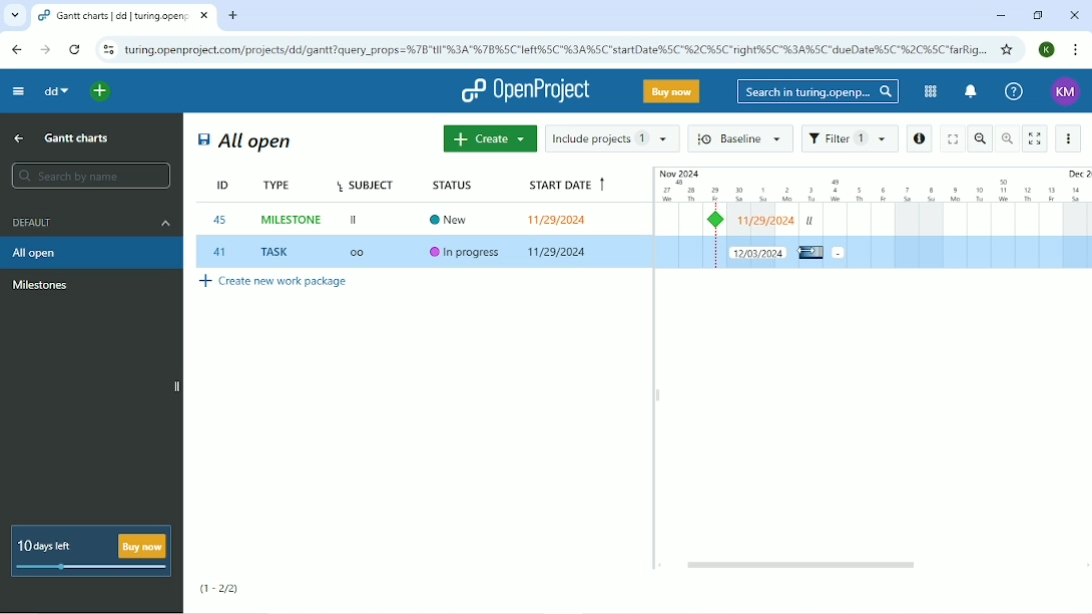  Describe the element at coordinates (466, 253) in the screenshot. I see `In progress` at that location.